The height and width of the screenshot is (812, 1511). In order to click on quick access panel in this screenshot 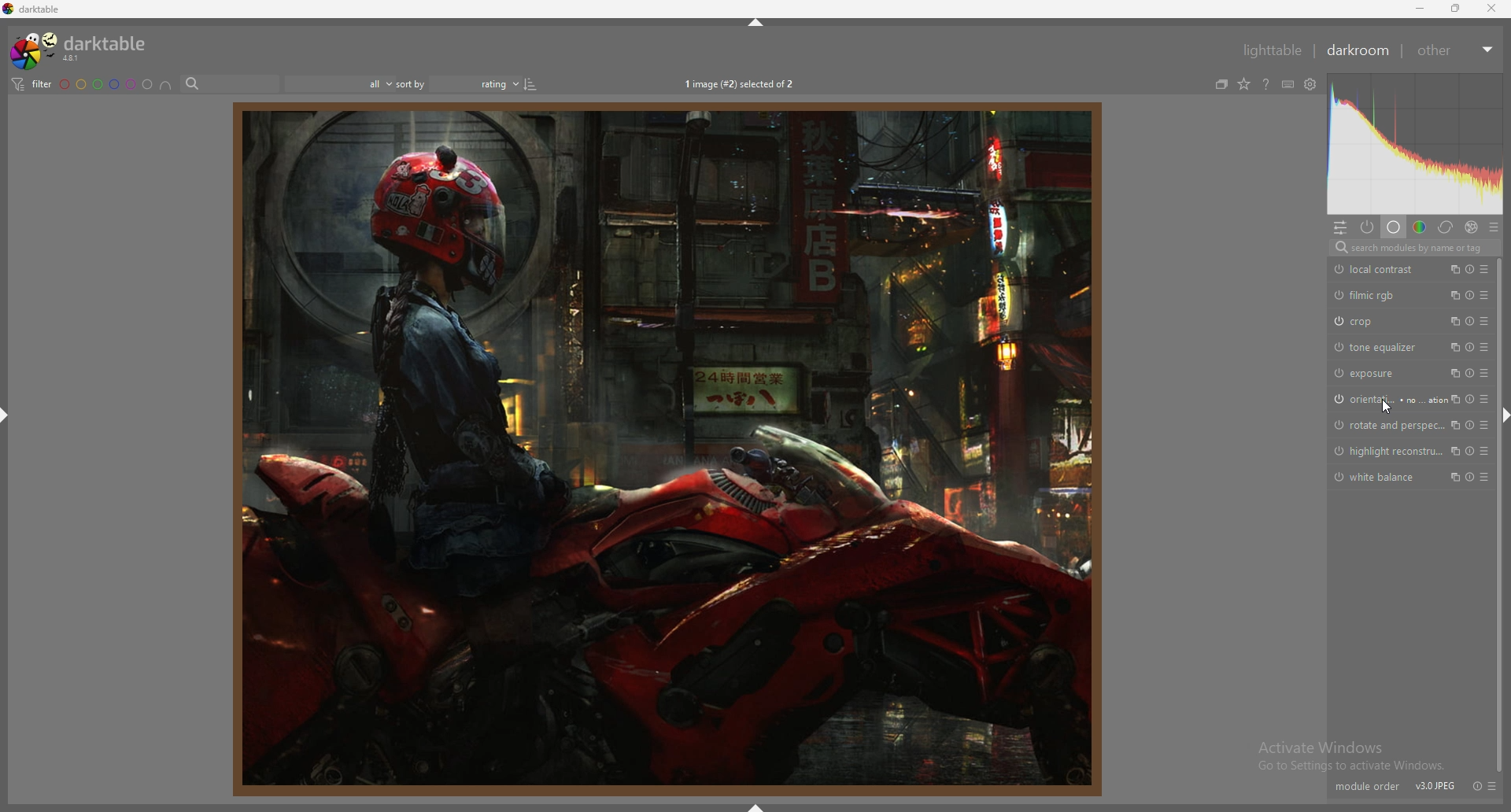, I will do `click(1340, 227)`.